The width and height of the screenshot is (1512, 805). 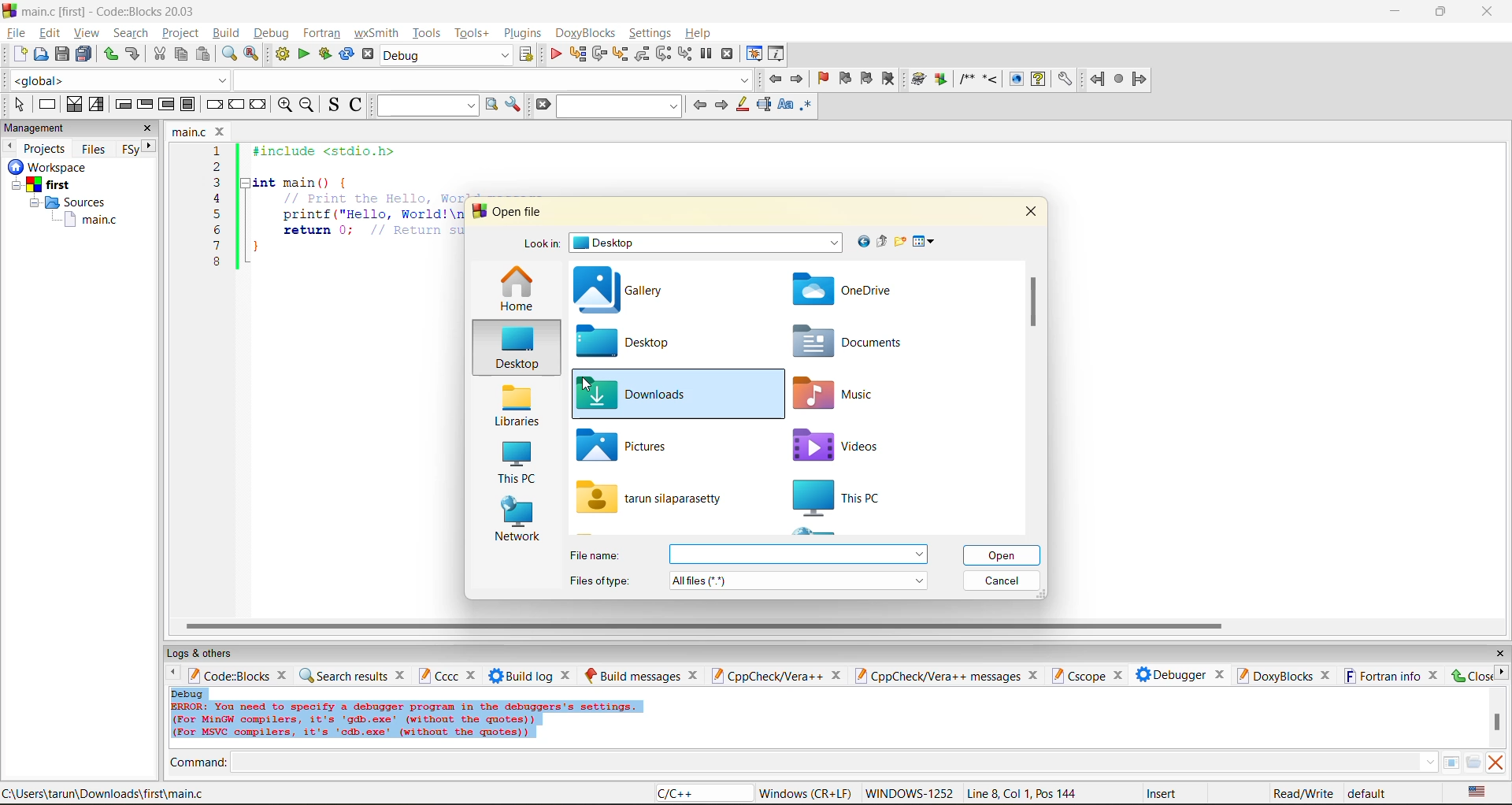 I want to click on 8, so click(x=217, y=262).